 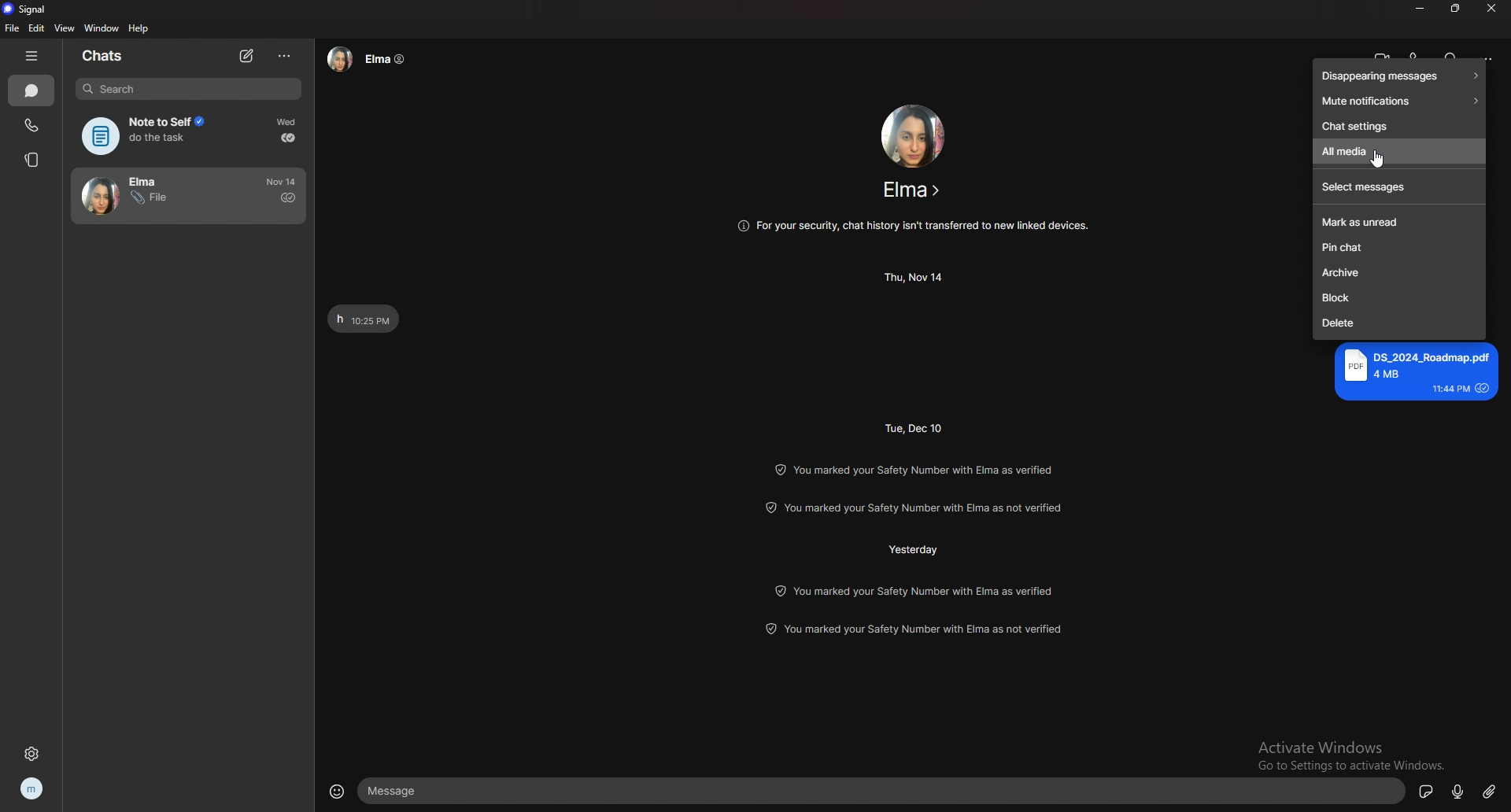 What do you see at coordinates (288, 197) in the screenshot?
I see `sent` at bounding box center [288, 197].